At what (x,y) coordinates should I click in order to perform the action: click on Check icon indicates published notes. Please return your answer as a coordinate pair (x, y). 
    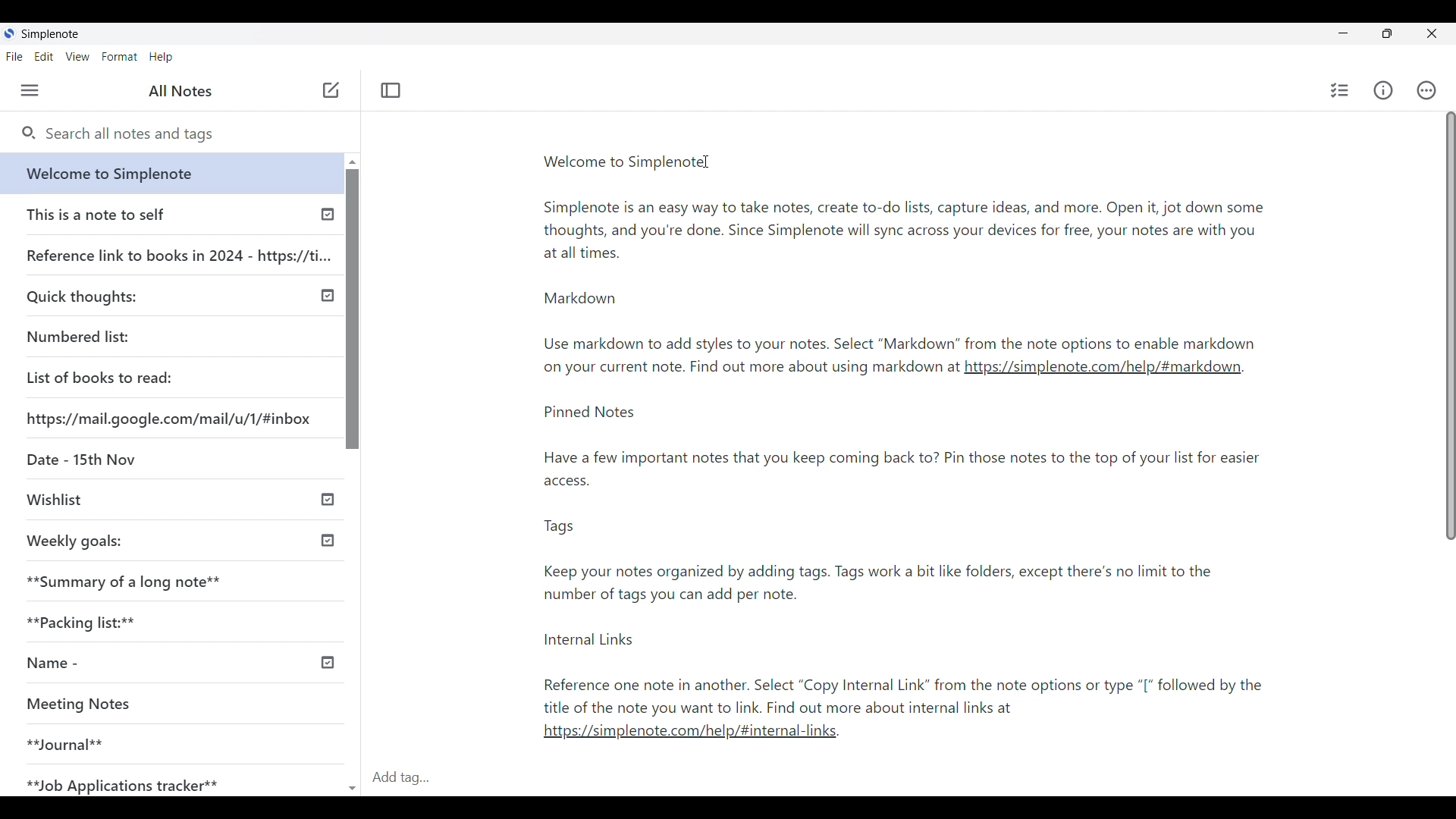
    Looking at the image, I should click on (326, 538).